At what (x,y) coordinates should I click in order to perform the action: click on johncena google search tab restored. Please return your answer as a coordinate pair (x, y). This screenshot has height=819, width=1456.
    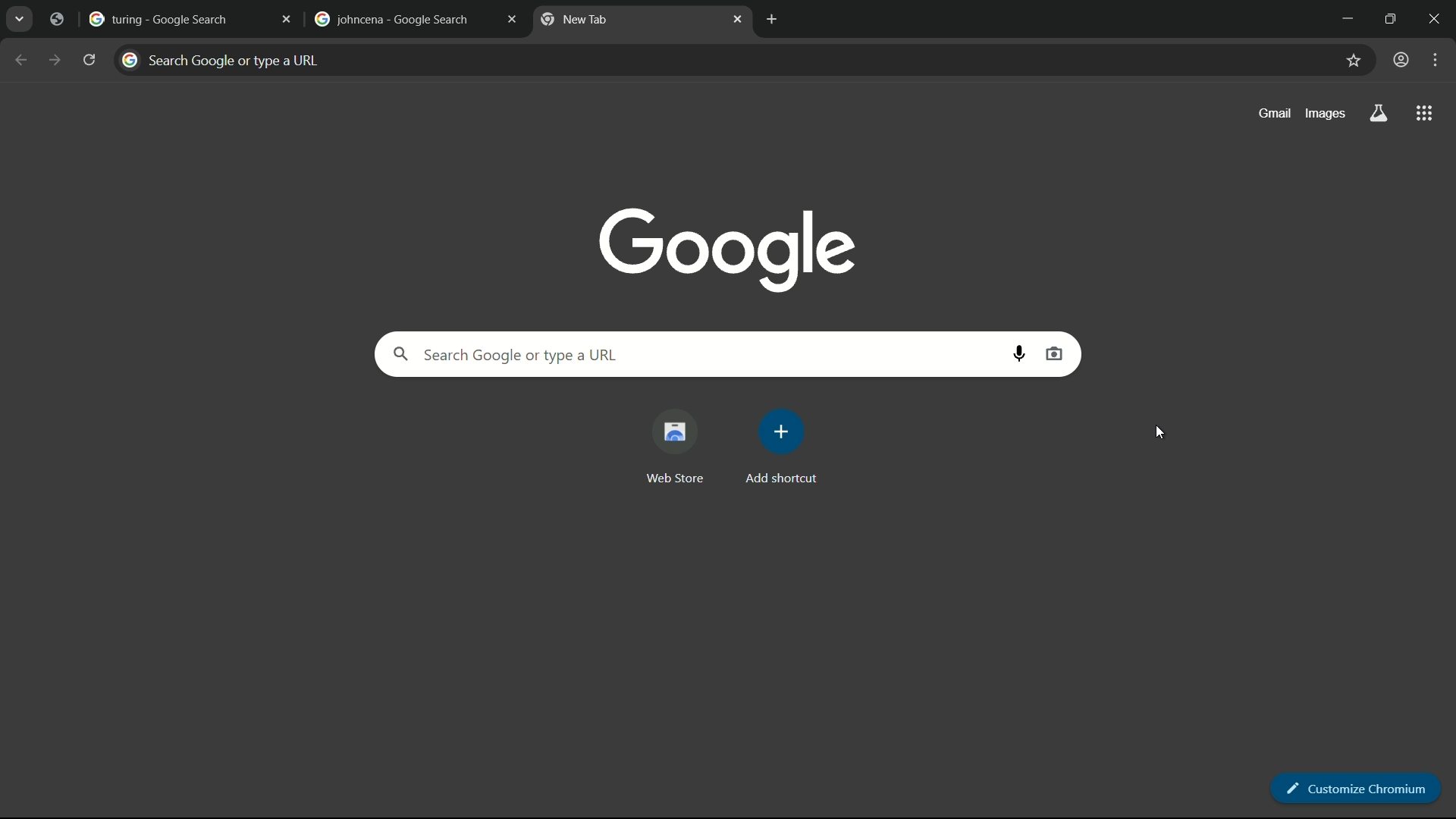
    Looking at the image, I should click on (388, 20).